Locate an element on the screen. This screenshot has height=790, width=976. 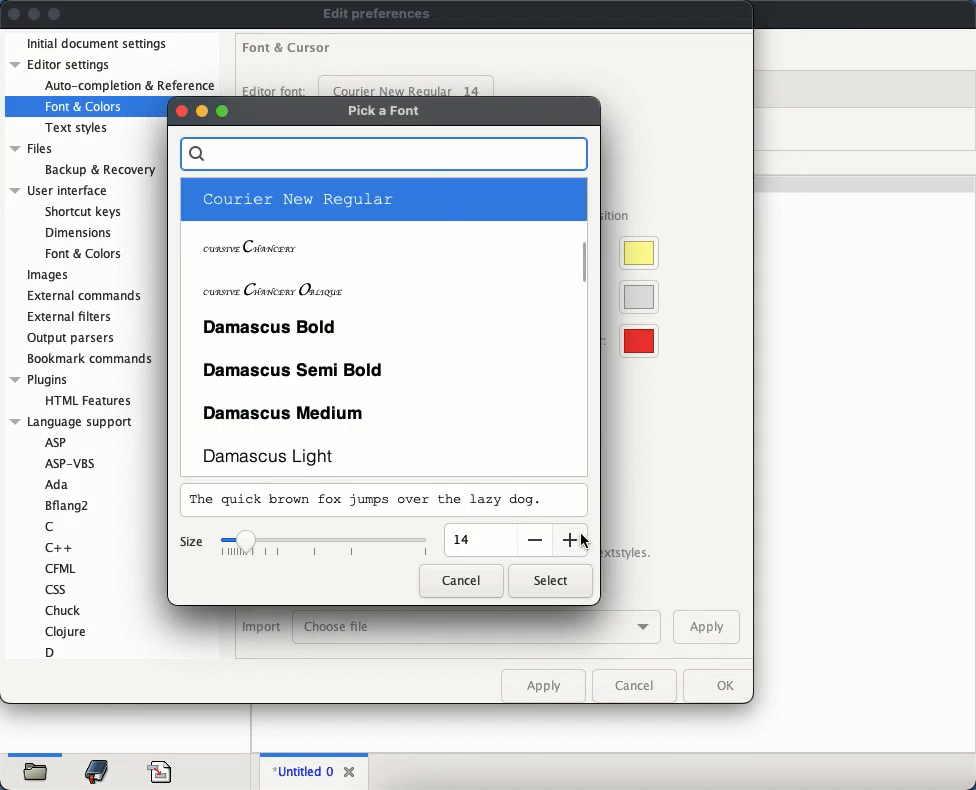
The Quick Brown Fox jumps over the lazy dog is located at coordinates (370, 501).